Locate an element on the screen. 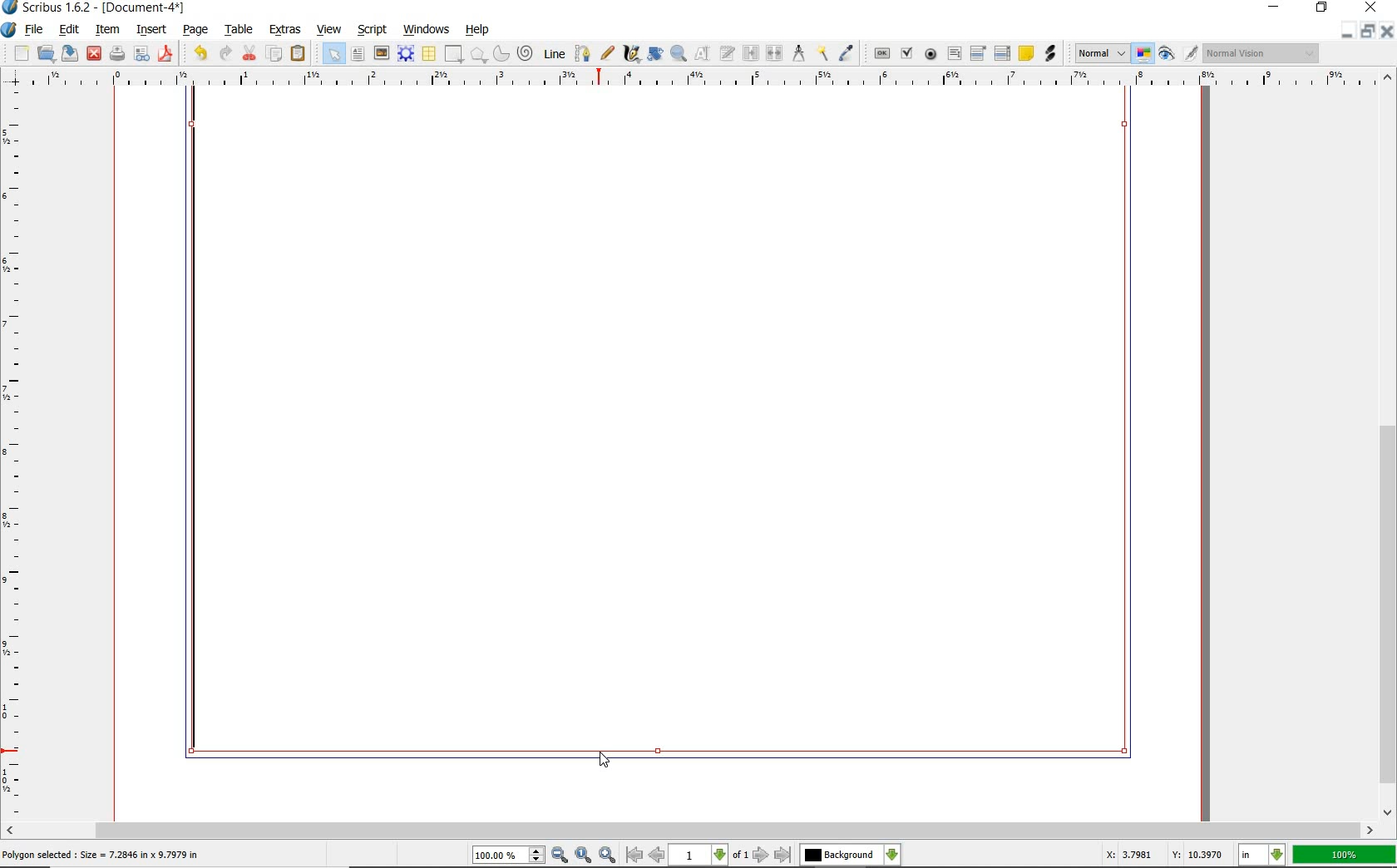  zoom out is located at coordinates (560, 856).